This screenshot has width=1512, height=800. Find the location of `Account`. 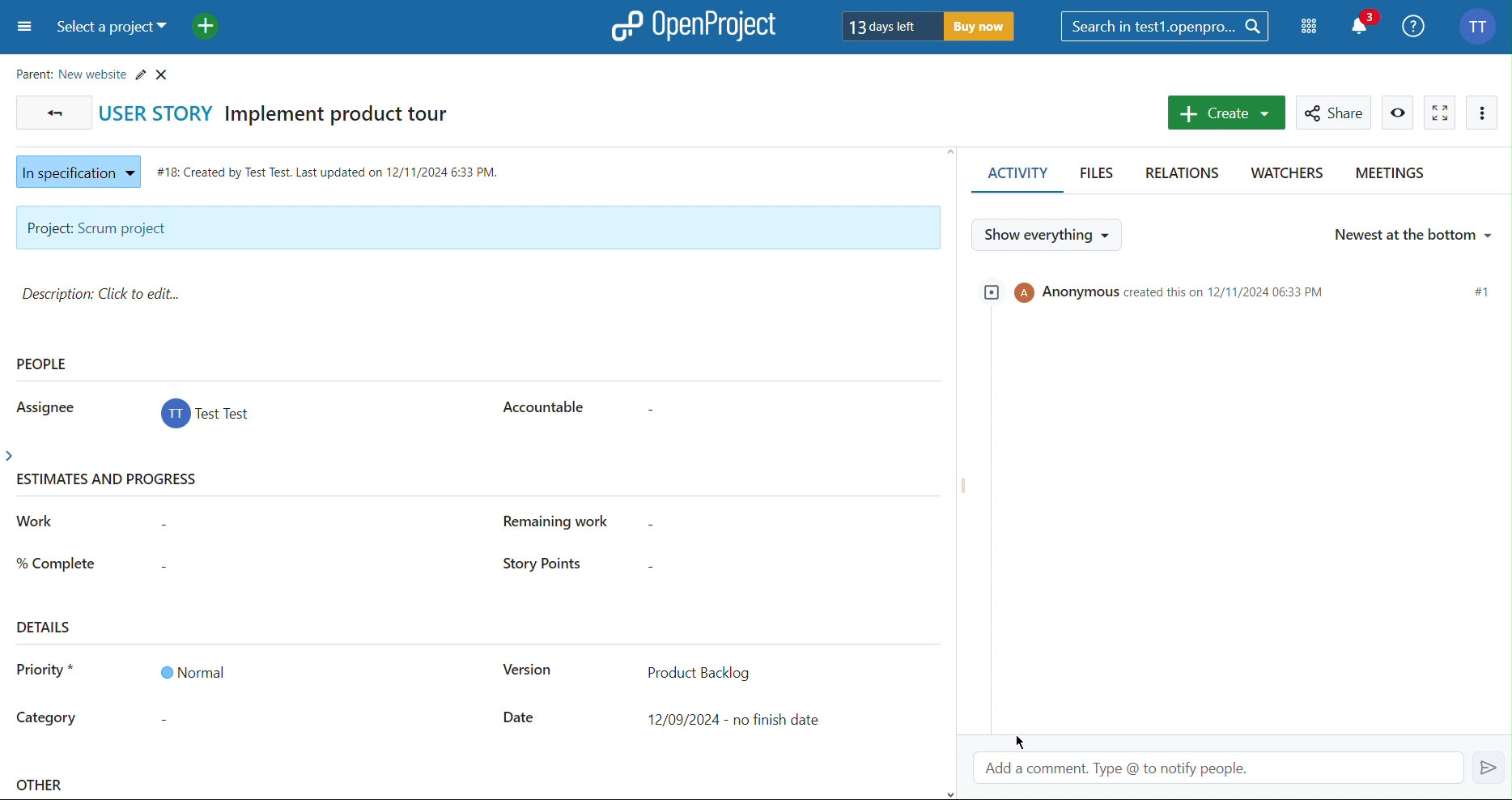

Account is located at coordinates (208, 416).